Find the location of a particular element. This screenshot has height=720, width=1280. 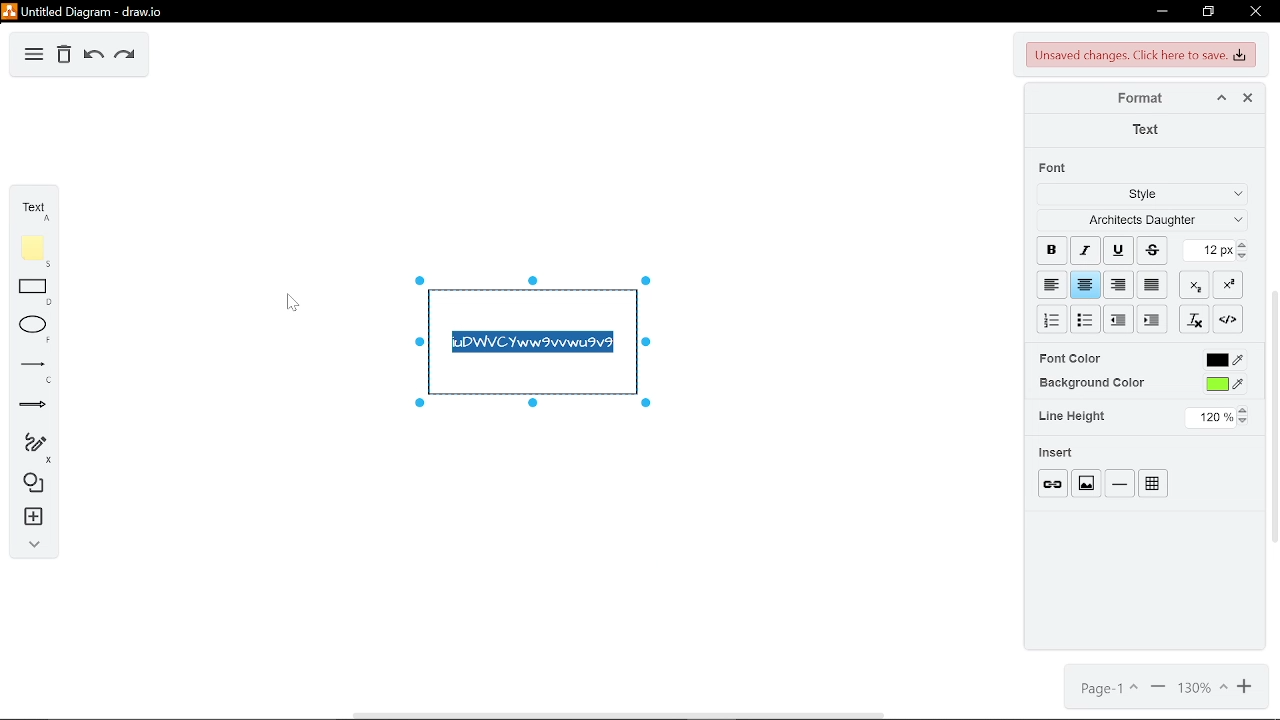

close format is located at coordinates (1247, 97).